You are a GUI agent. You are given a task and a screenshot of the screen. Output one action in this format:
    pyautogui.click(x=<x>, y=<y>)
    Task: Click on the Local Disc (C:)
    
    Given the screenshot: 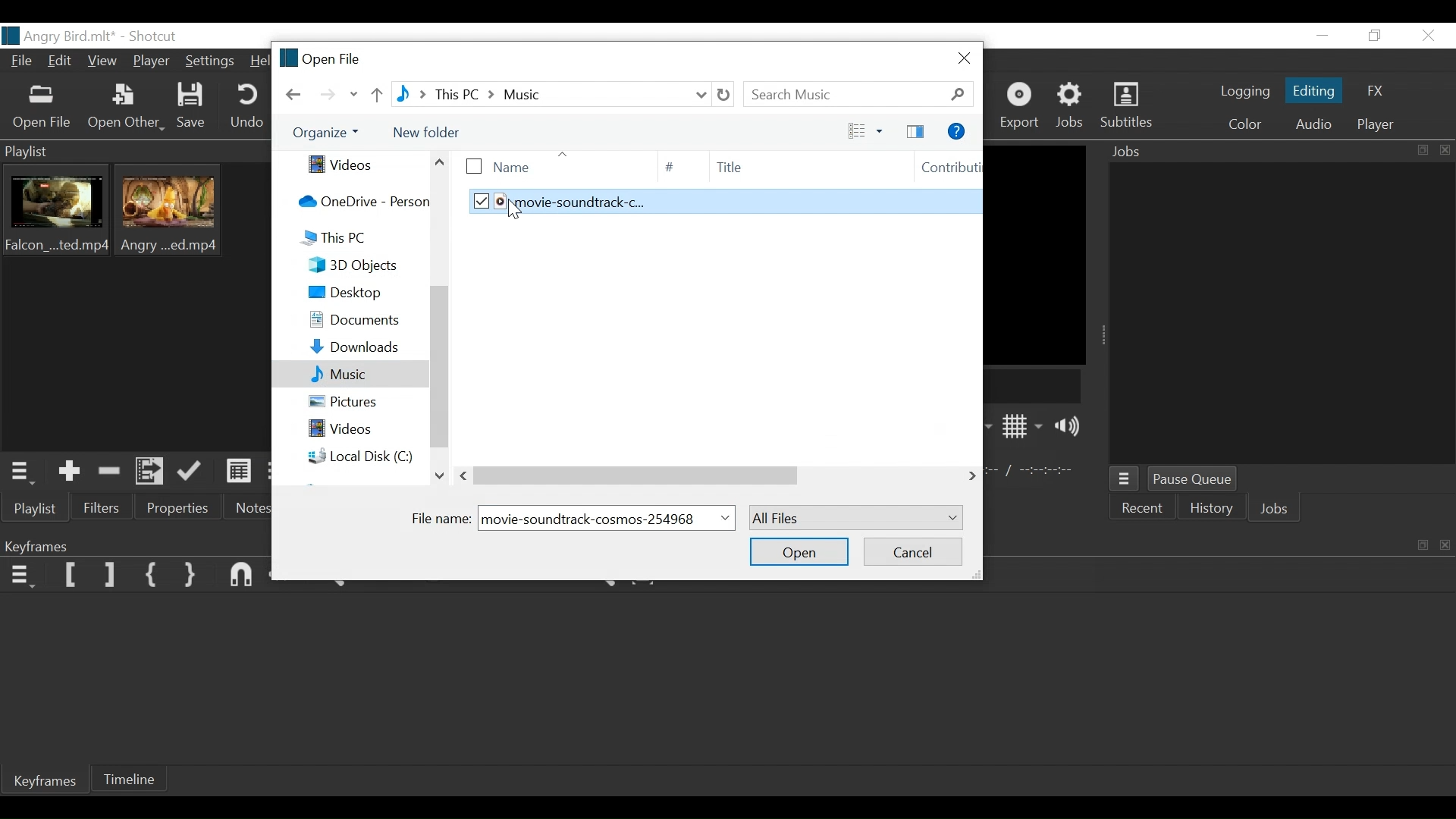 What is the action you would take?
    pyautogui.click(x=349, y=456)
    